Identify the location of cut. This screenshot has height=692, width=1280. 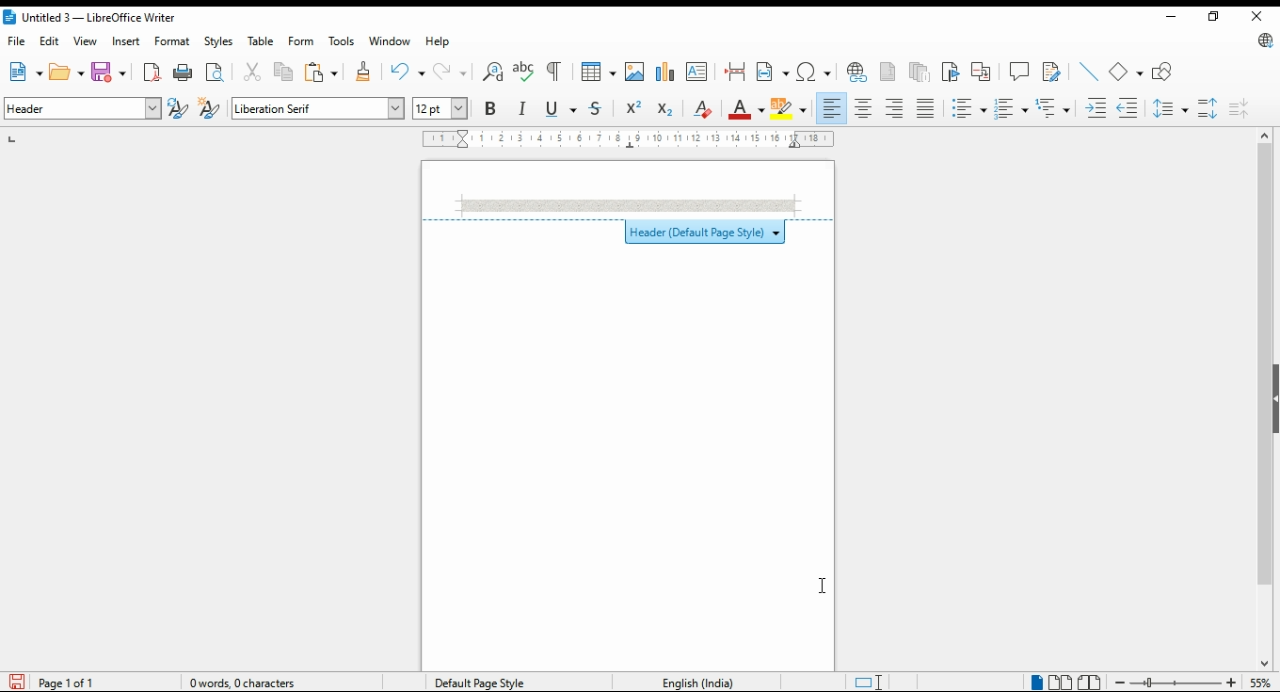
(254, 72).